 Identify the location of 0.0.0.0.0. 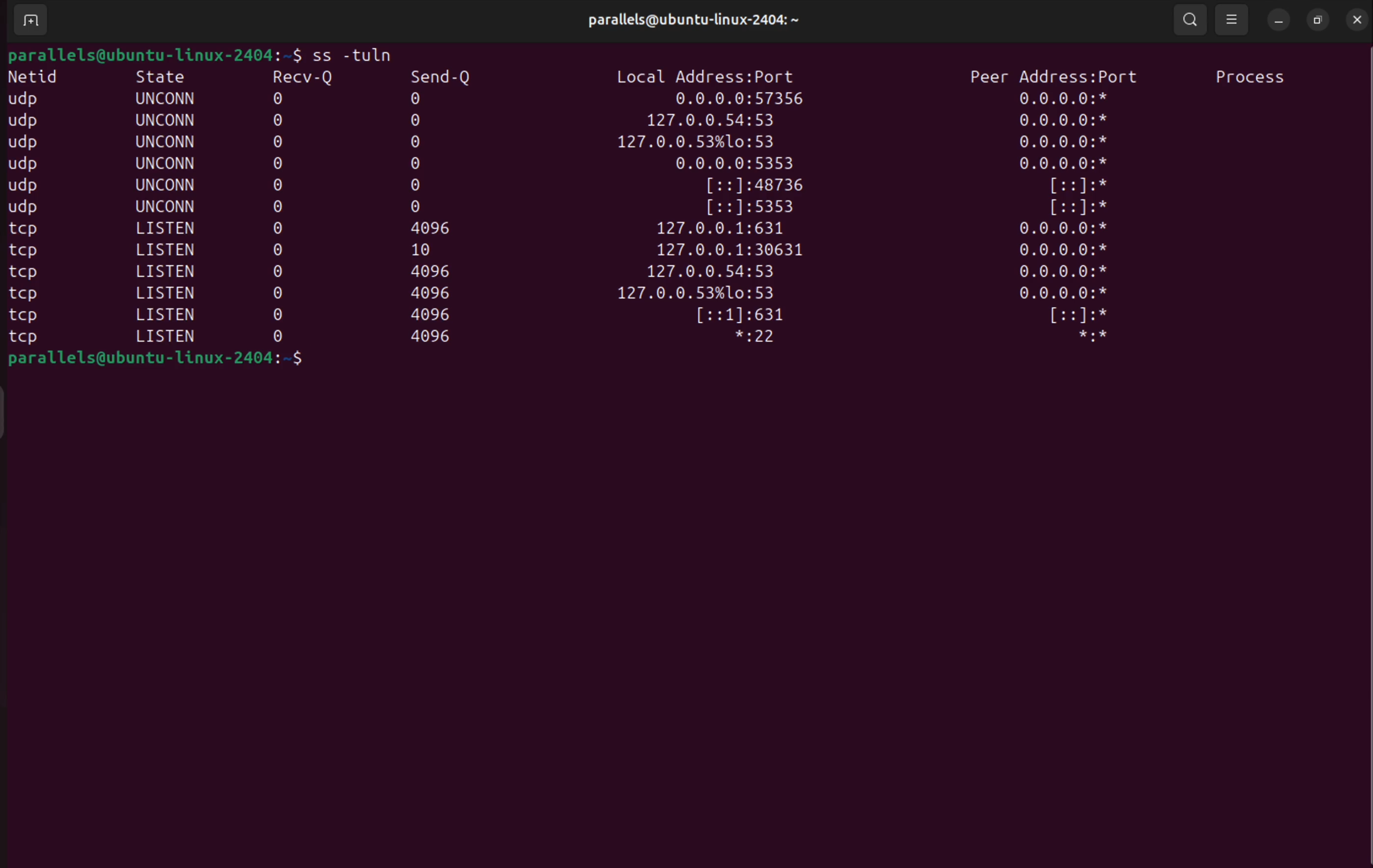
(1066, 295).